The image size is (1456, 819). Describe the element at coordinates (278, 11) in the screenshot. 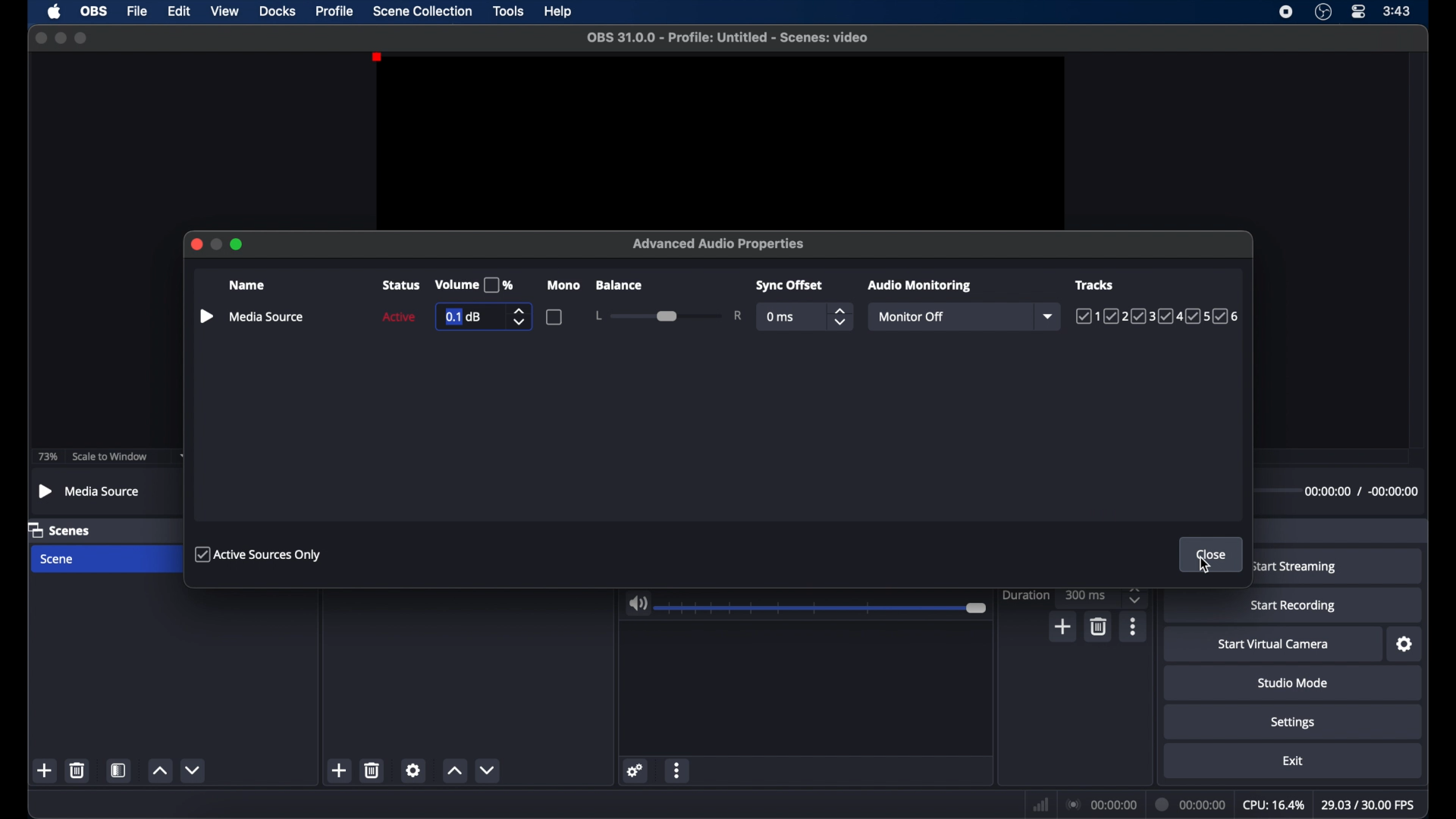

I see `docks` at that location.